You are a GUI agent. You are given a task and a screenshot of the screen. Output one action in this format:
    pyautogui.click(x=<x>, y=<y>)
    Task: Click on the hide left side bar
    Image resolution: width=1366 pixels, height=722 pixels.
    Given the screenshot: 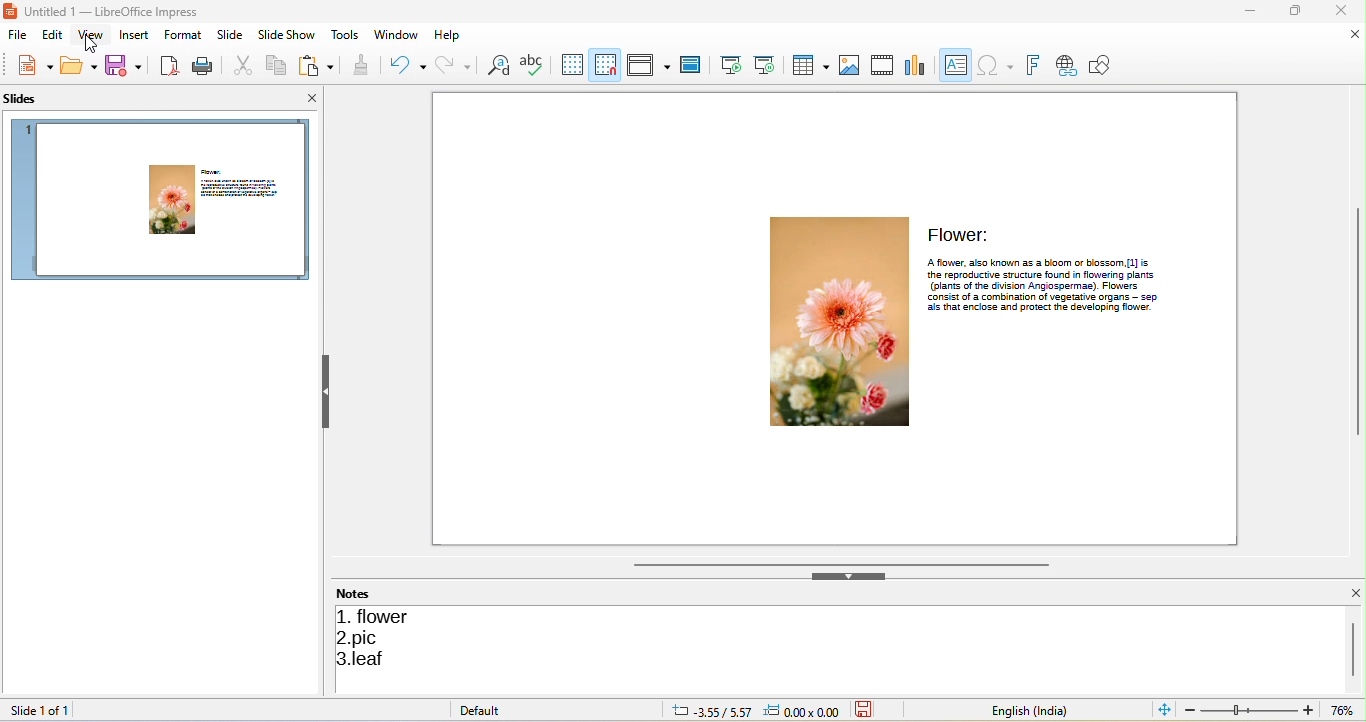 What is the action you would take?
    pyautogui.click(x=327, y=391)
    